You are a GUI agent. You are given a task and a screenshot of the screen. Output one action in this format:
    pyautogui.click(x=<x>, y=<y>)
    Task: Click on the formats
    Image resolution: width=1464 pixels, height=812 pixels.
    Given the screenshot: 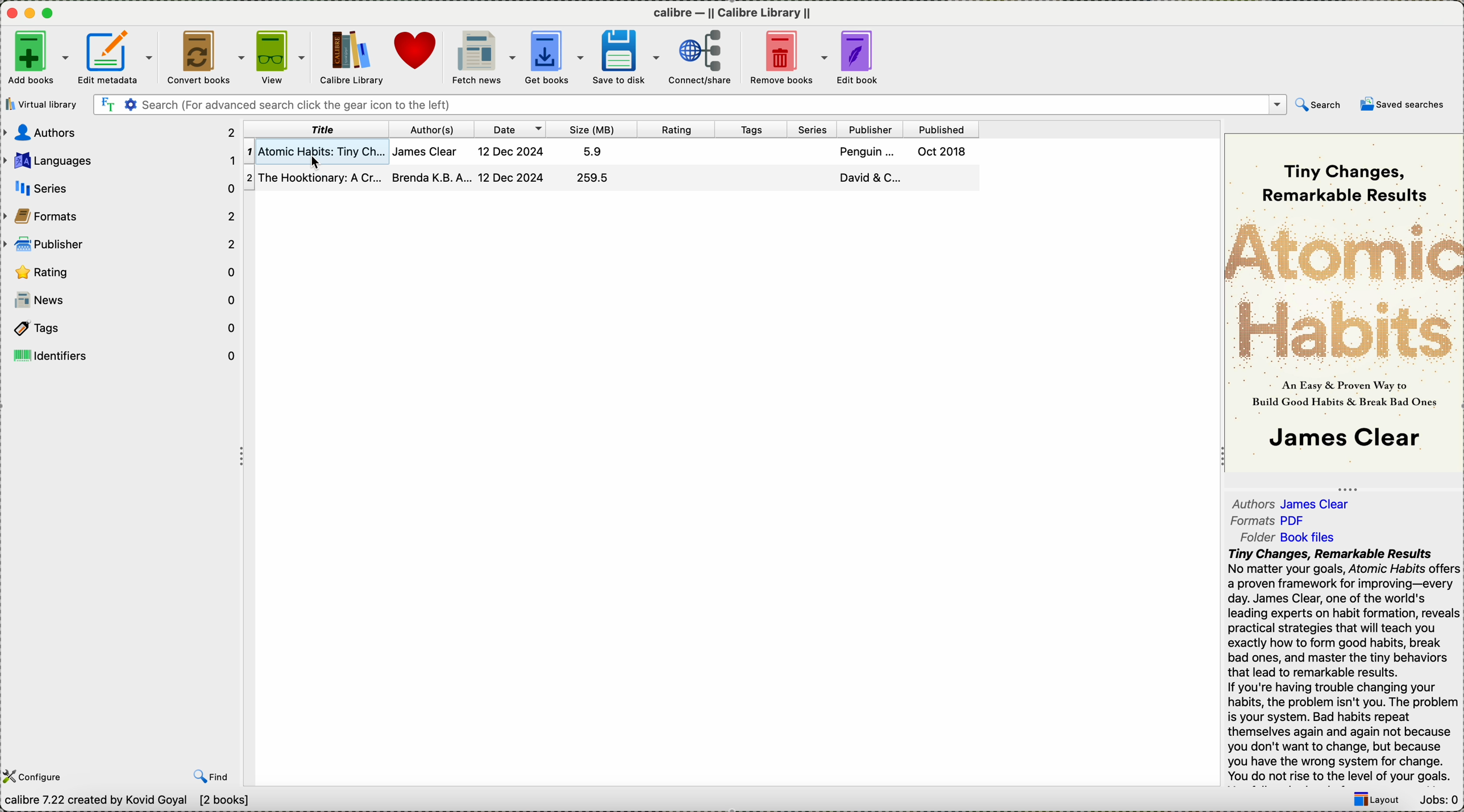 What is the action you would take?
    pyautogui.click(x=122, y=216)
    